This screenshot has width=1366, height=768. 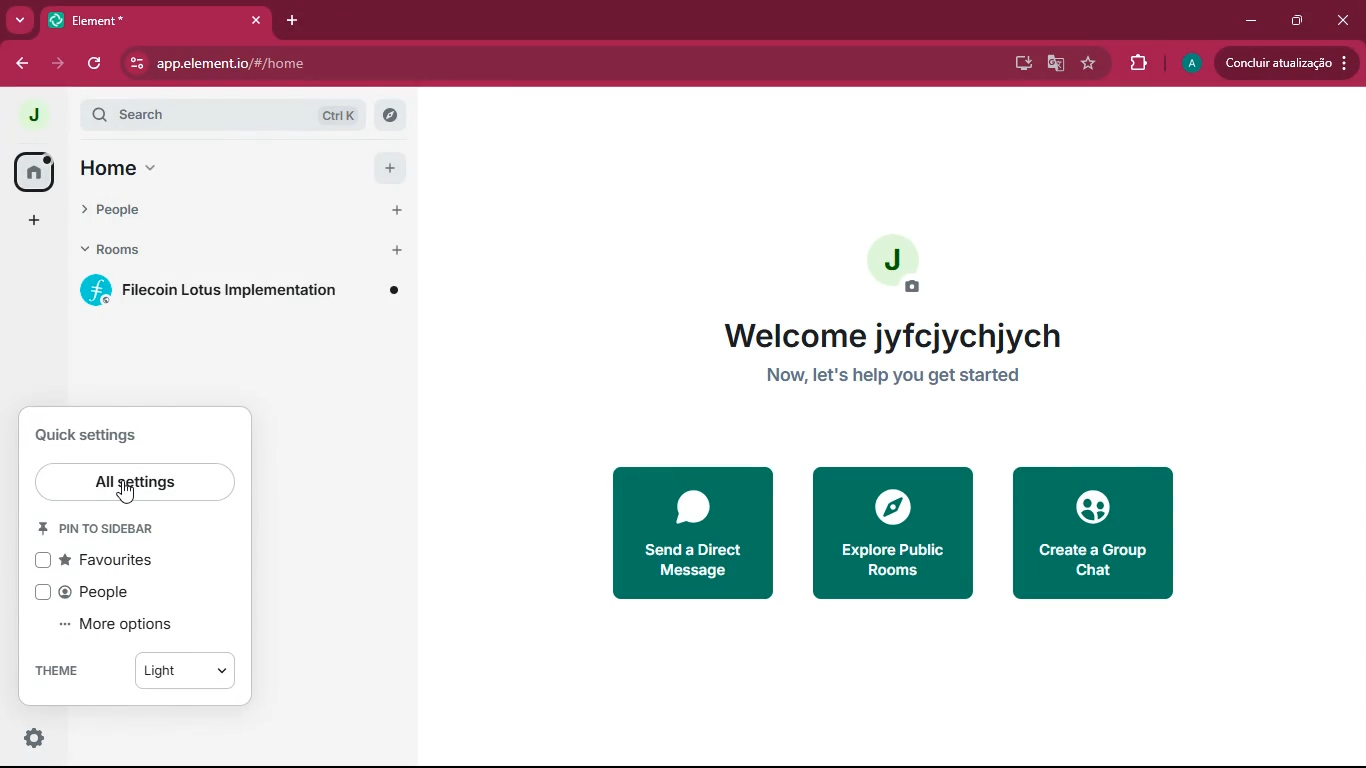 I want to click on profile picture, so click(x=32, y=116).